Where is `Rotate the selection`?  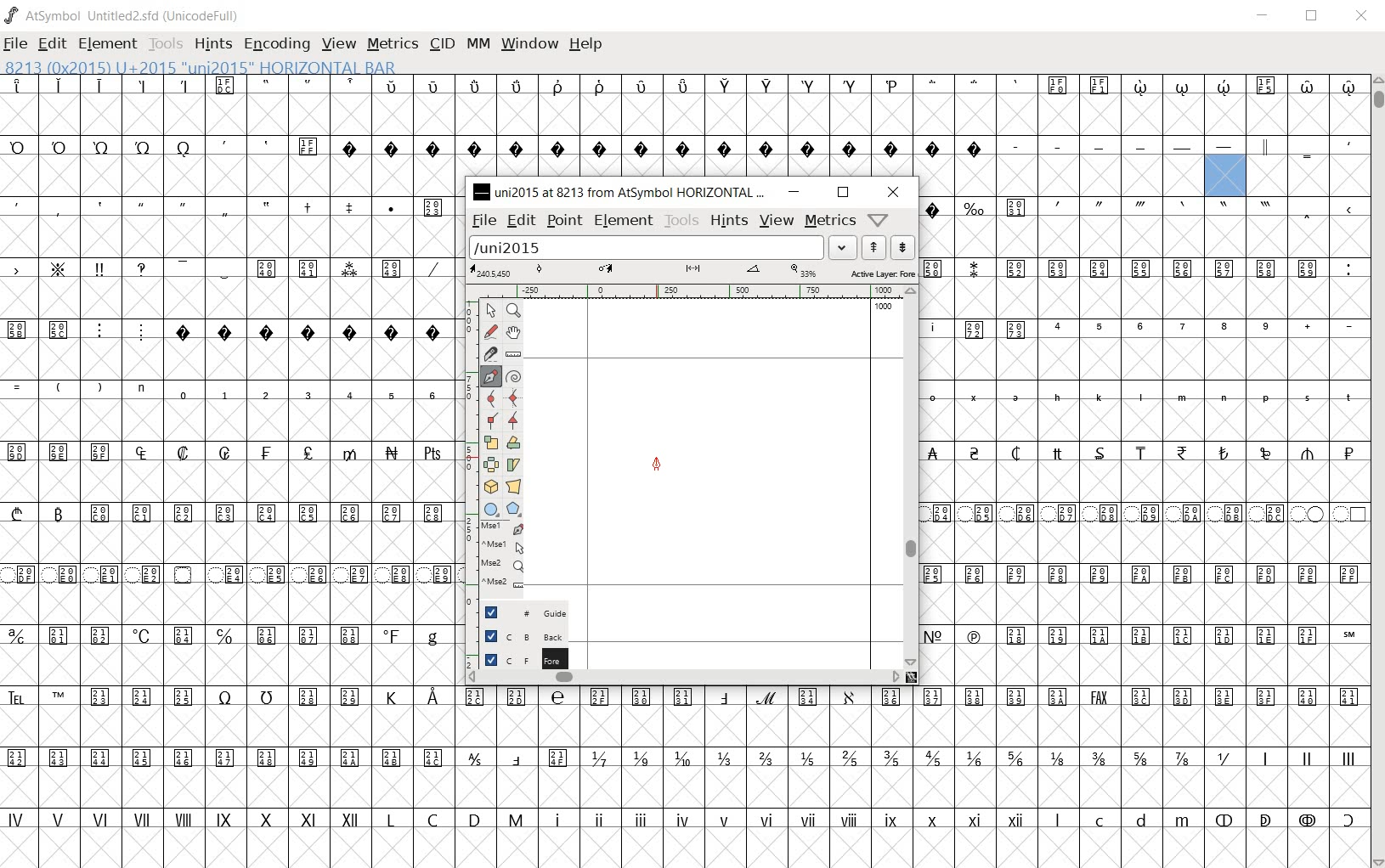 Rotate the selection is located at coordinates (515, 465).